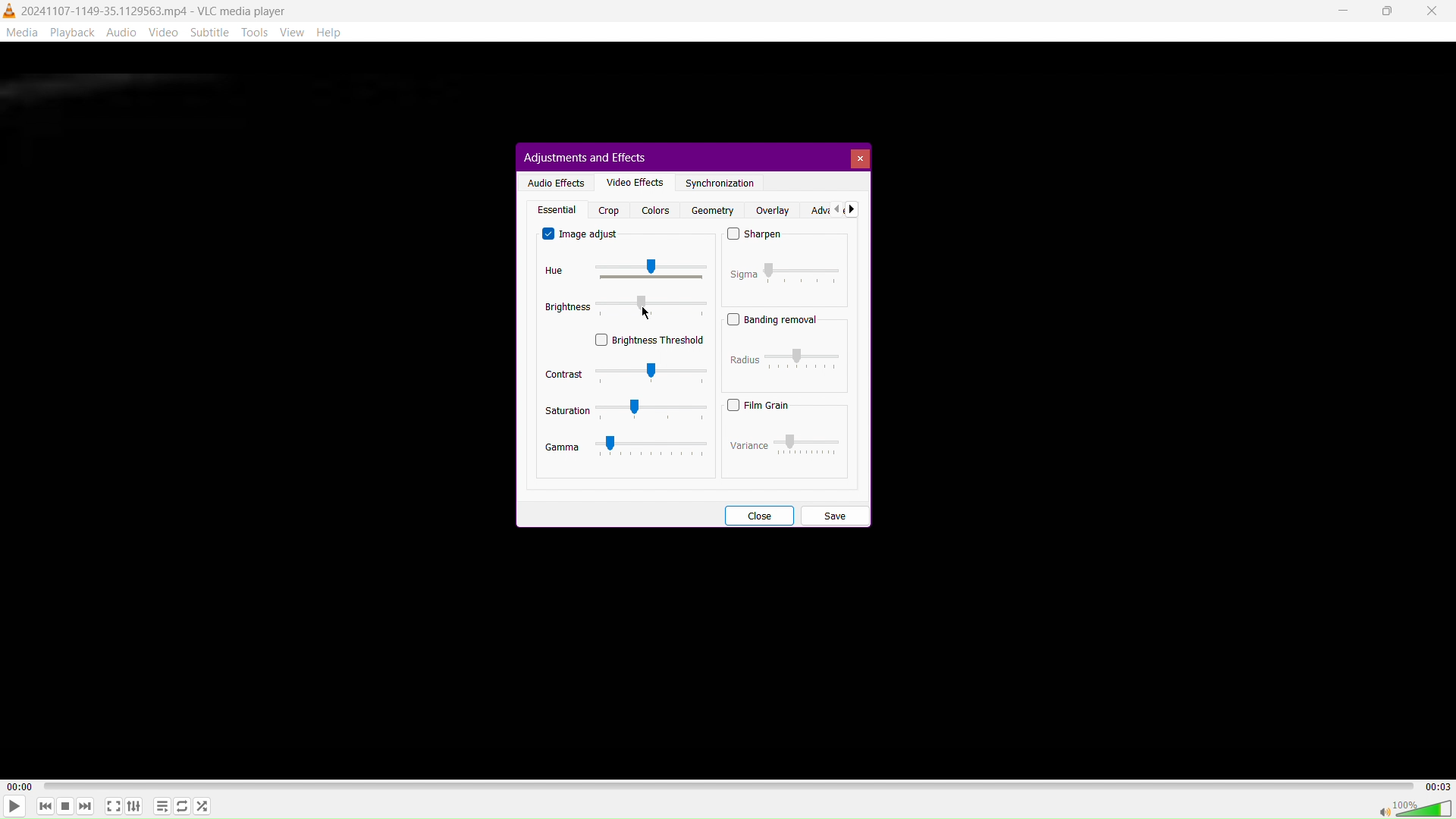 The width and height of the screenshot is (1456, 819). Describe the element at coordinates (645, 314) in the screenshot. I see `Cursor MOUSE_DOWN Position` at that location.